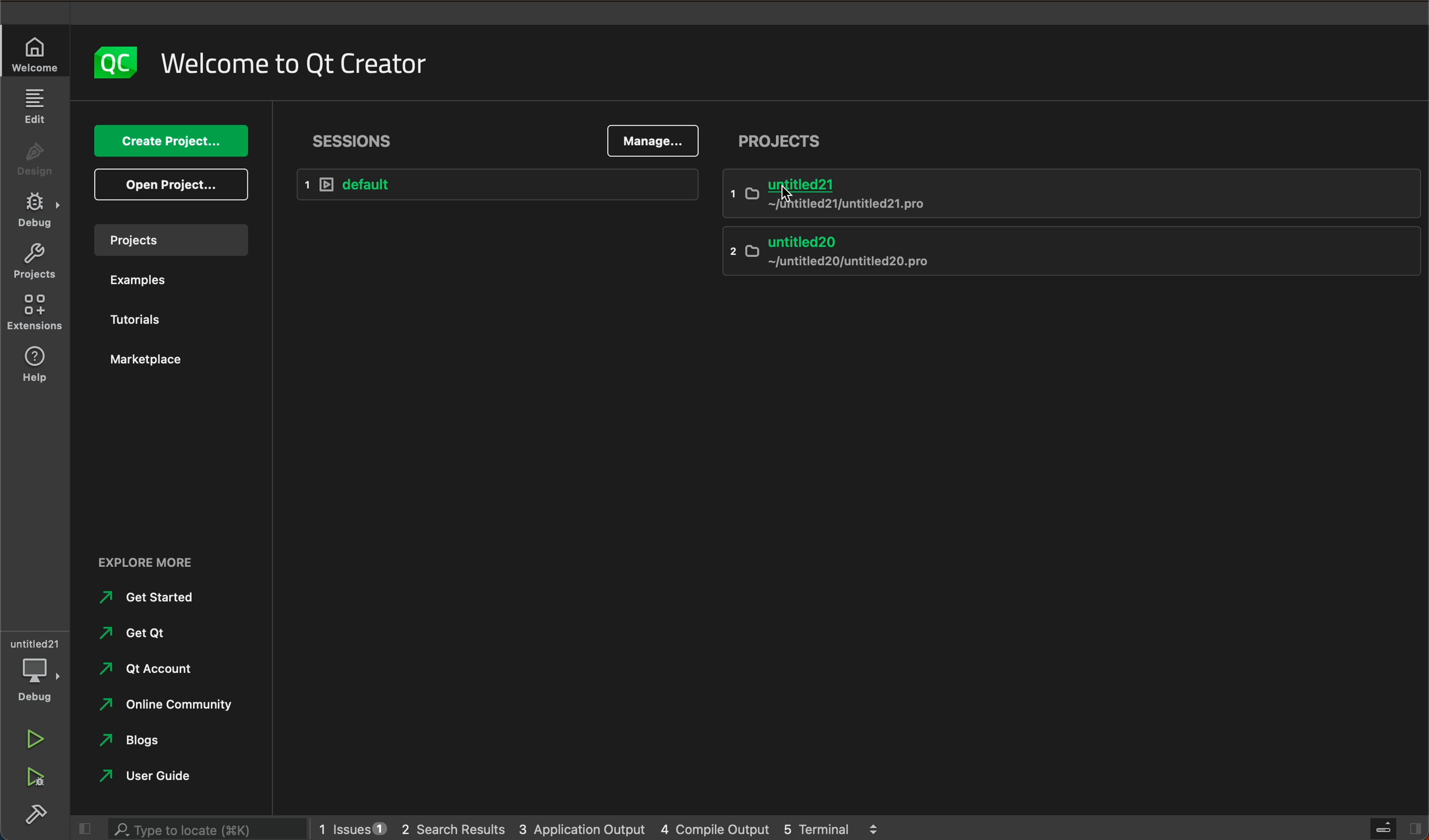 This screenshot has width=1429, height=840. I want to click on online community, so click(166, 708).